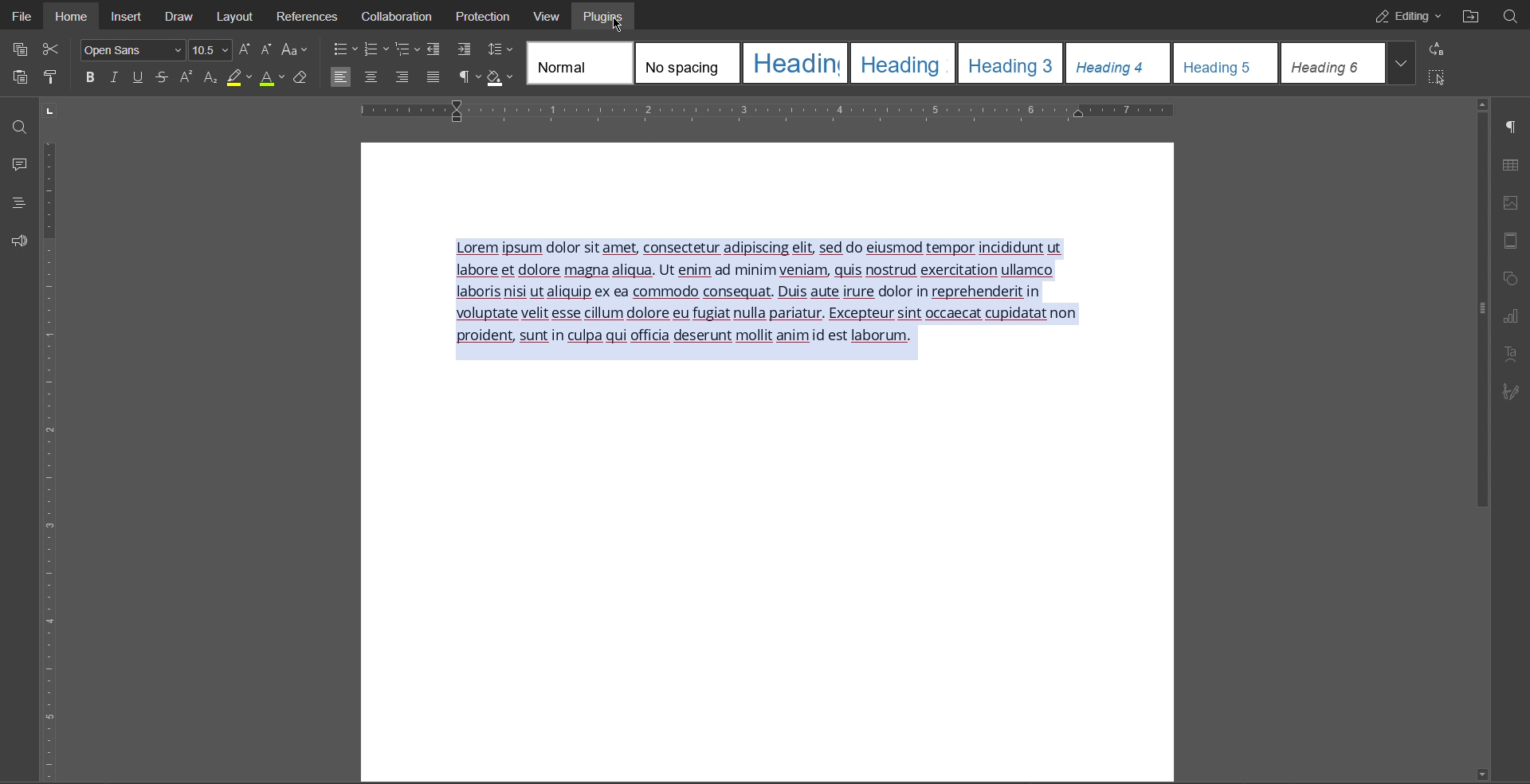 The image size is (1530, 784). Describe the element at coordinates (1512, 242) in the screenshot. I see `Header Footer` at that location.